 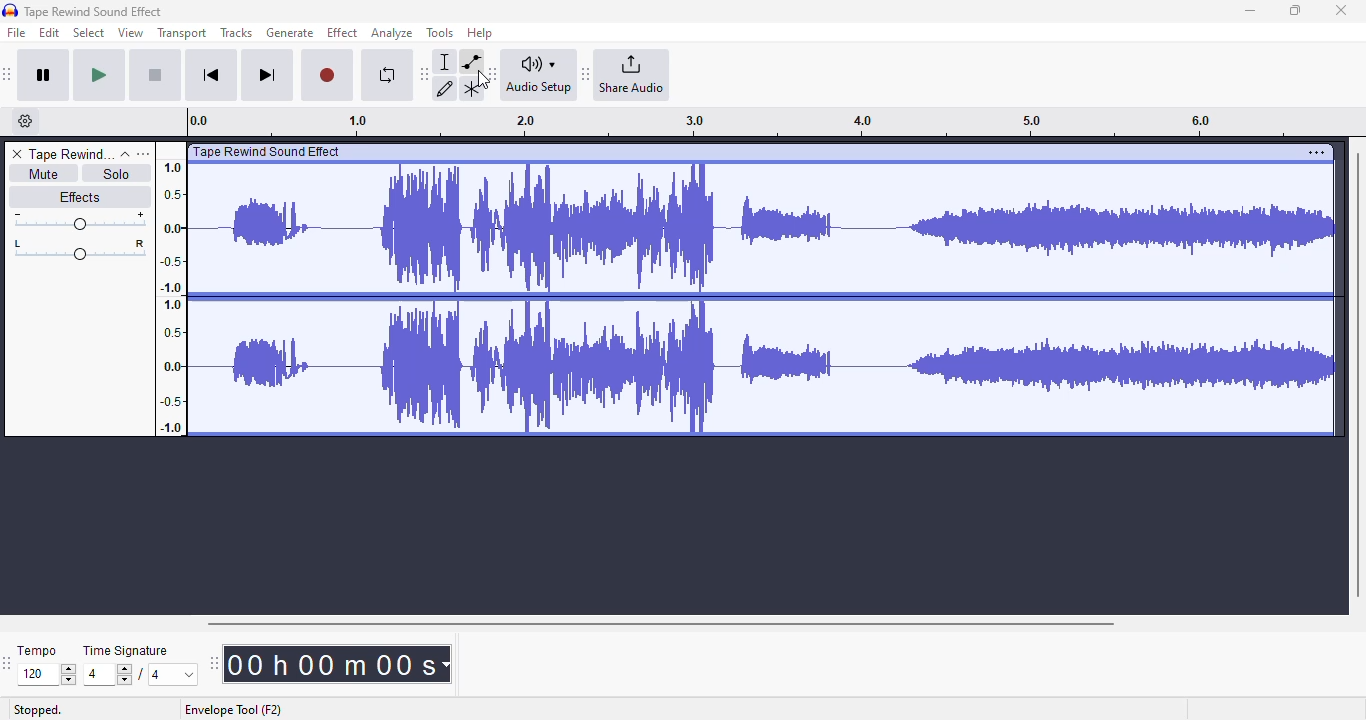 I want to click on Time measurement options, so click(x=445, y=664).